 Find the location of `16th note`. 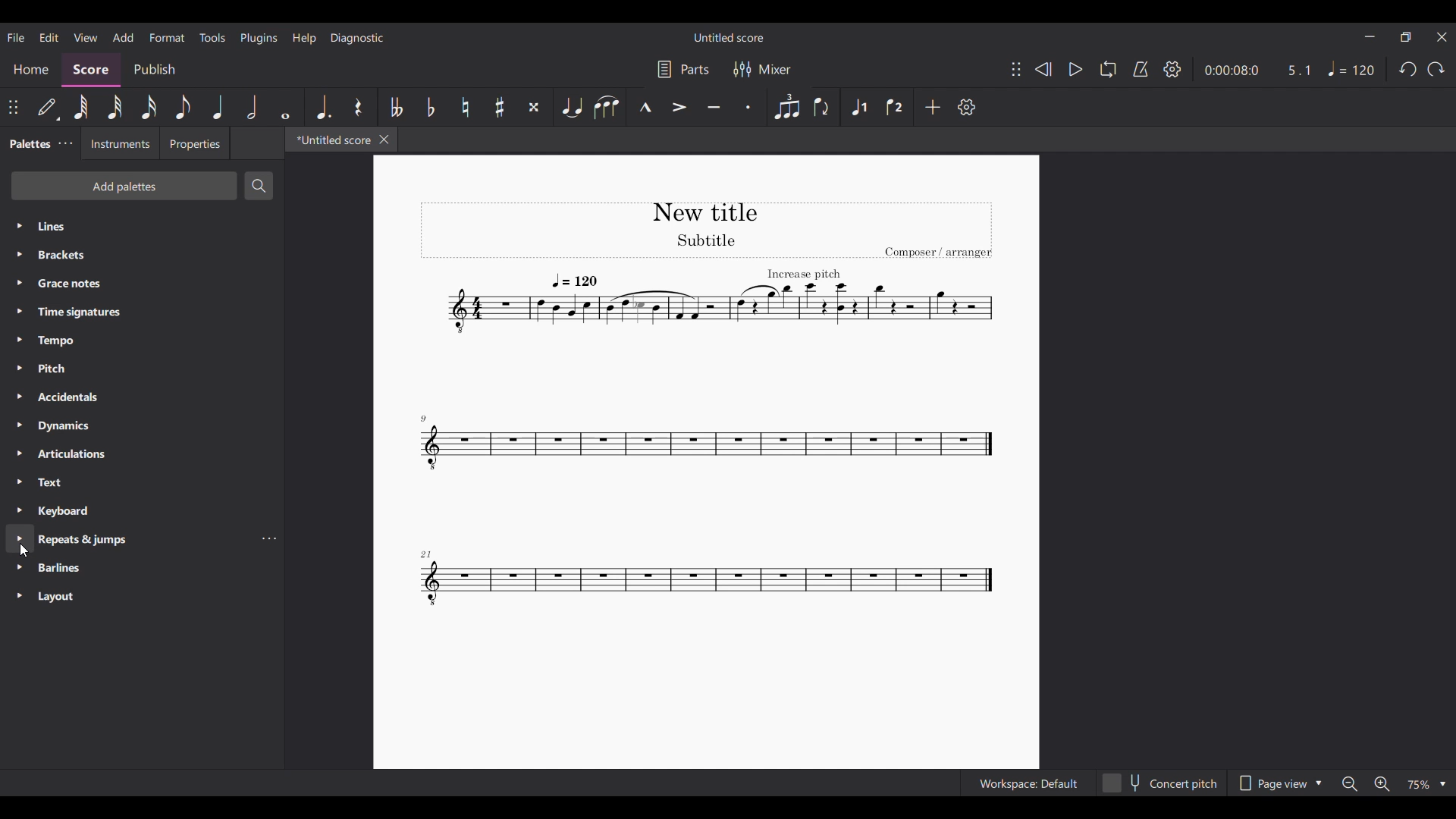

16th note is located at coordinates (149, 107).